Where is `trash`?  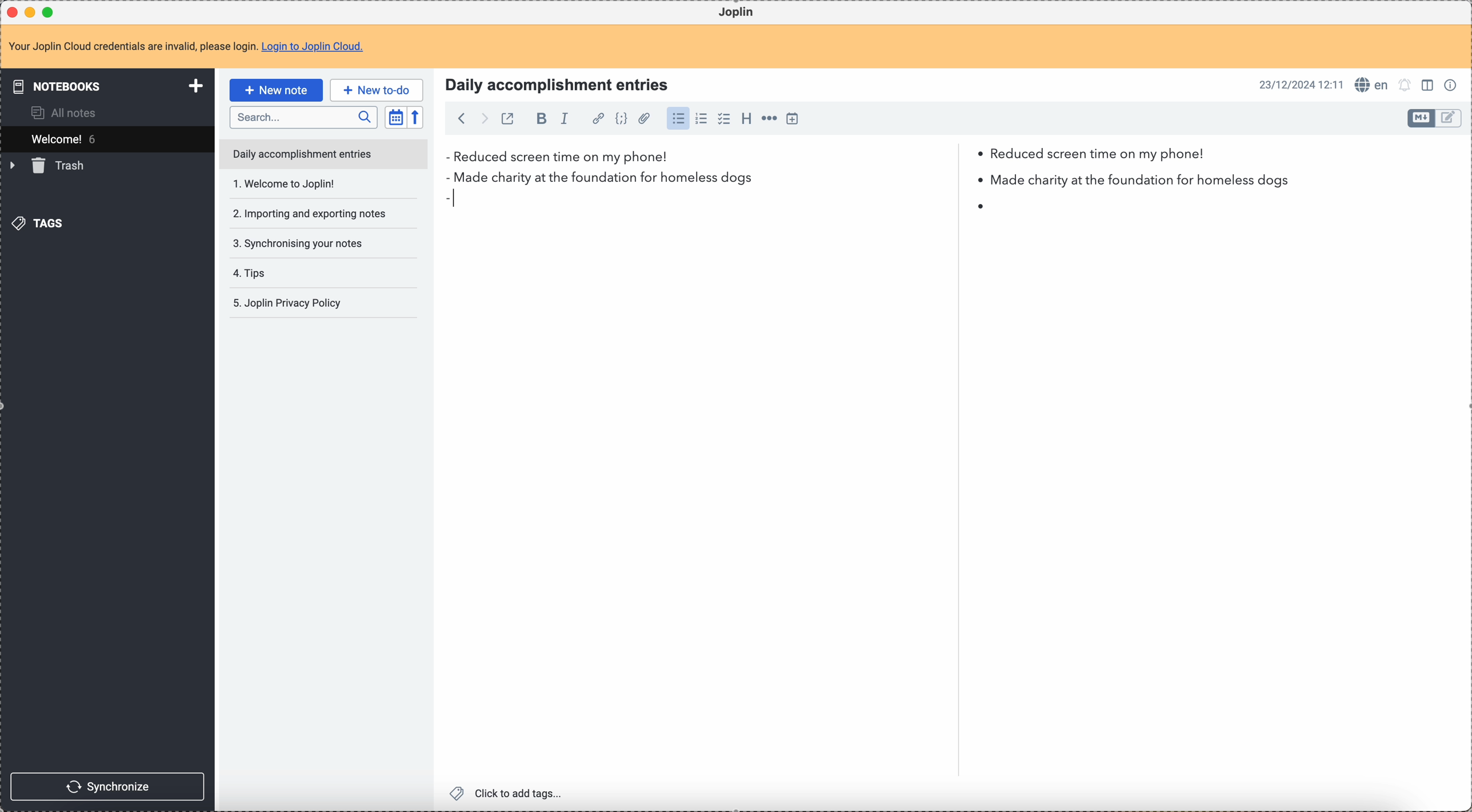 trash is located at coordinates (50, 166).